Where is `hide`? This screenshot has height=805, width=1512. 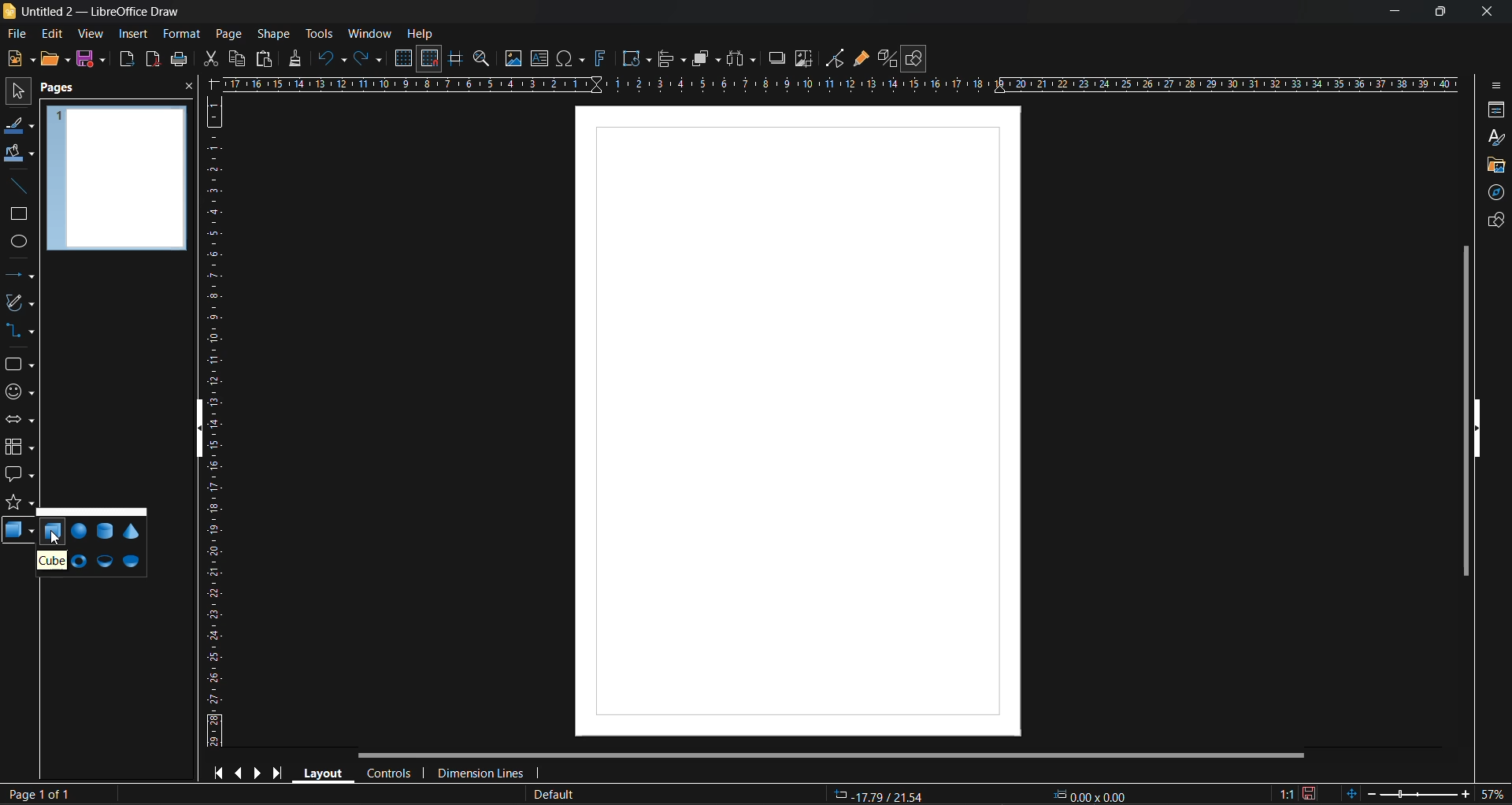
hide is located at coordinates (1477, 428).